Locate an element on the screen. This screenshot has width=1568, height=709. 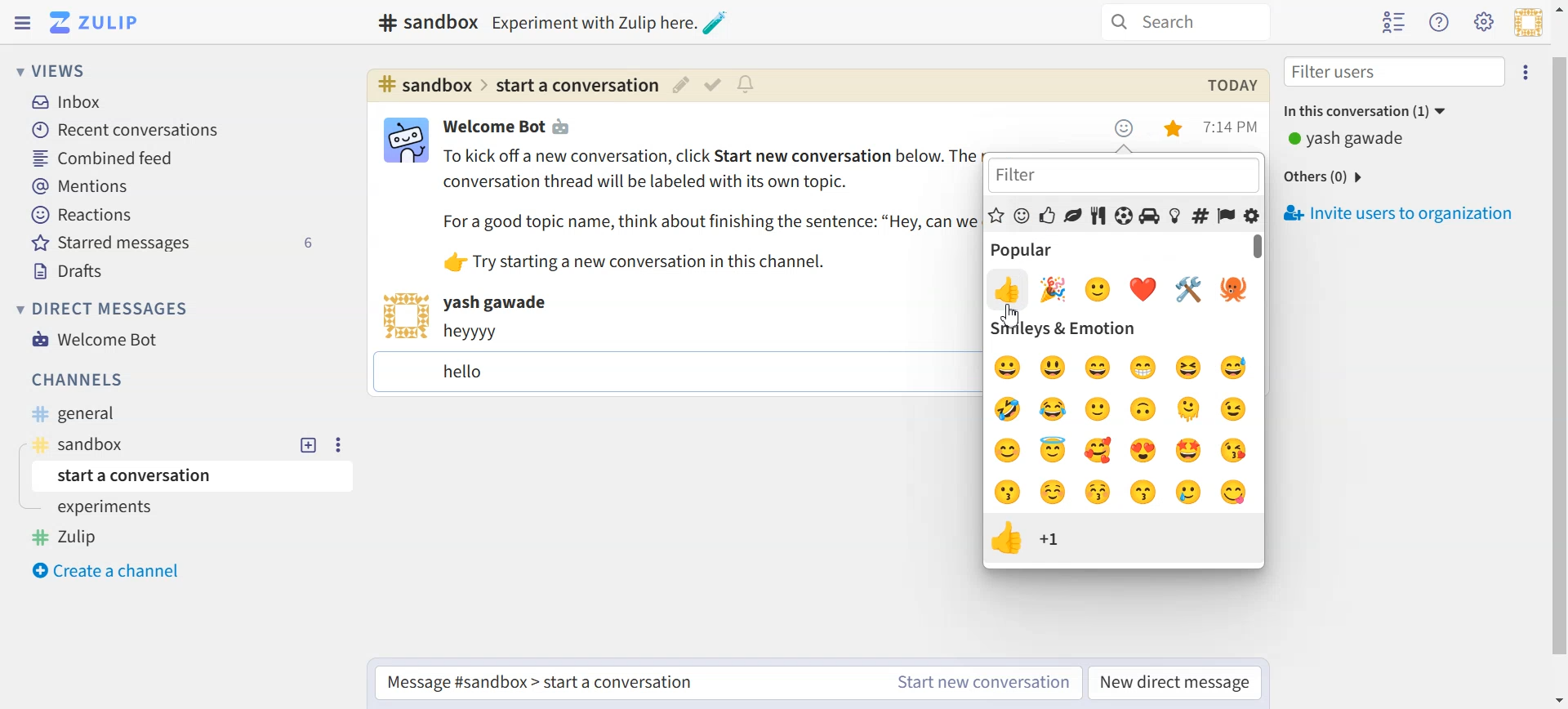
joy is located at coordinates (1057, 408).